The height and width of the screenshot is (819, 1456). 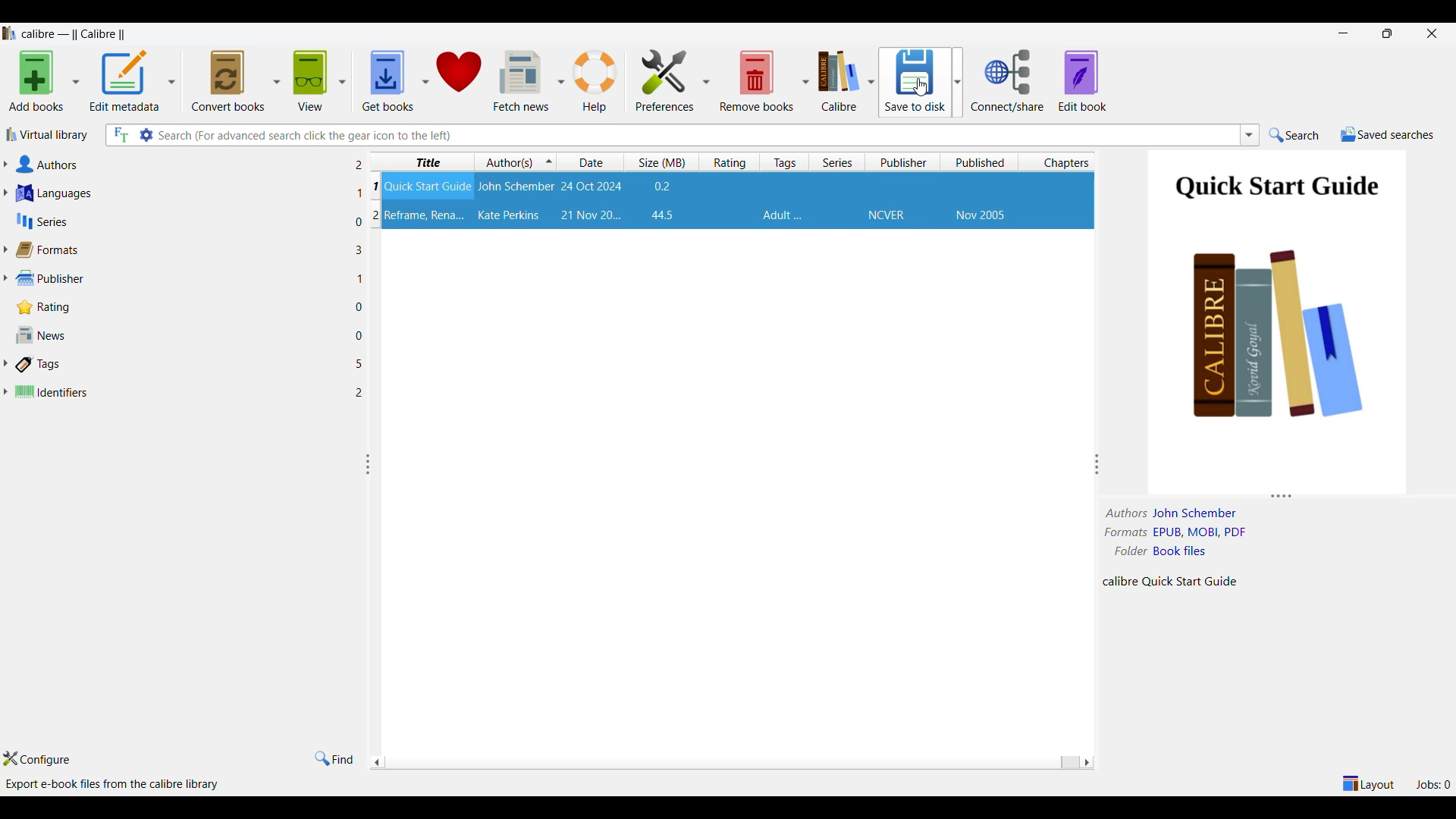 What do you see at coordinates (1086, 762) in the screenshot?
I see `scroll left` at bounding box center [1086, 762].